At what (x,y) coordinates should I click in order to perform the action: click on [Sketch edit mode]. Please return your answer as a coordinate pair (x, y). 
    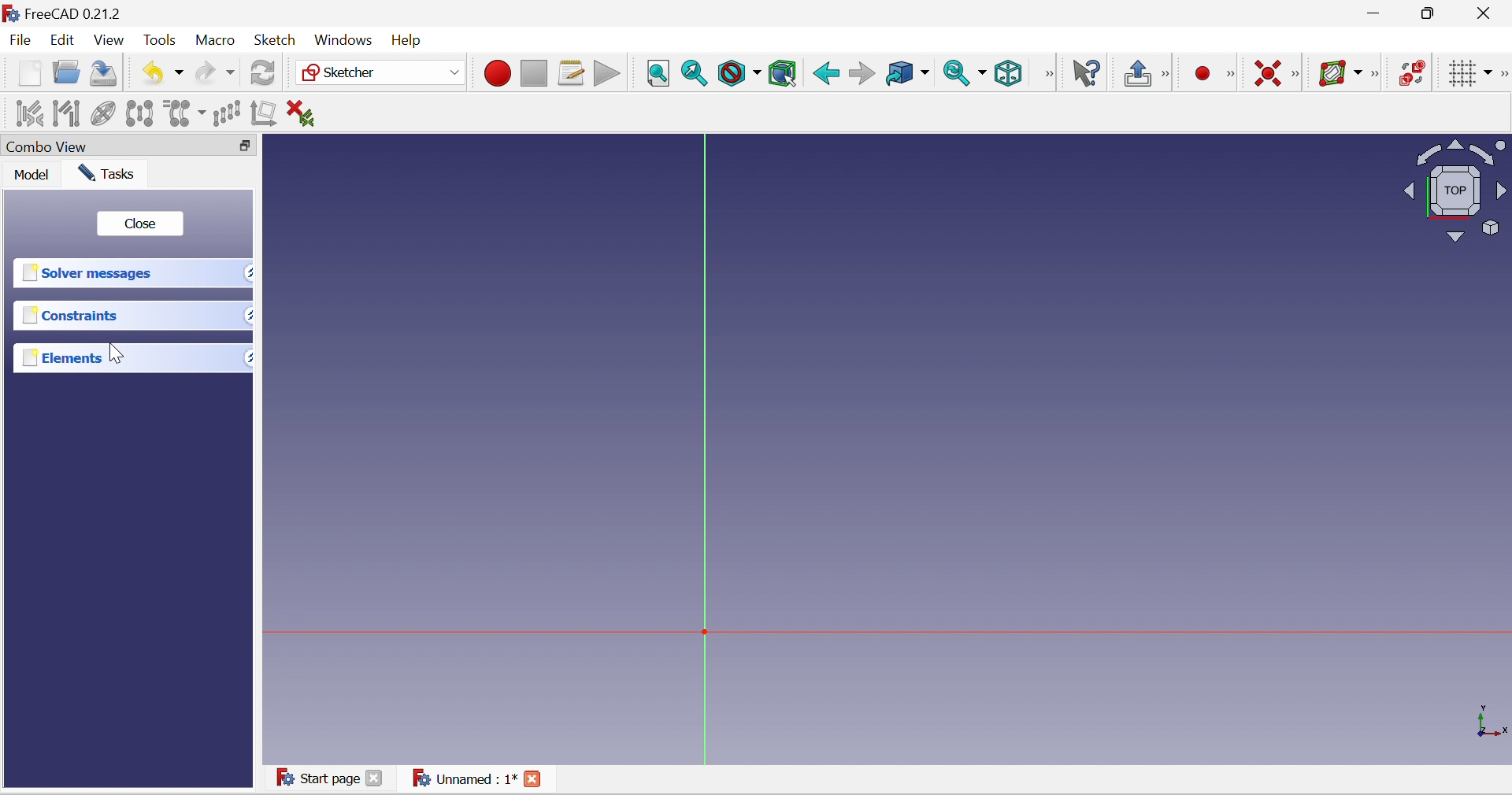
    Looking at the image, I should click on (1167, 75).